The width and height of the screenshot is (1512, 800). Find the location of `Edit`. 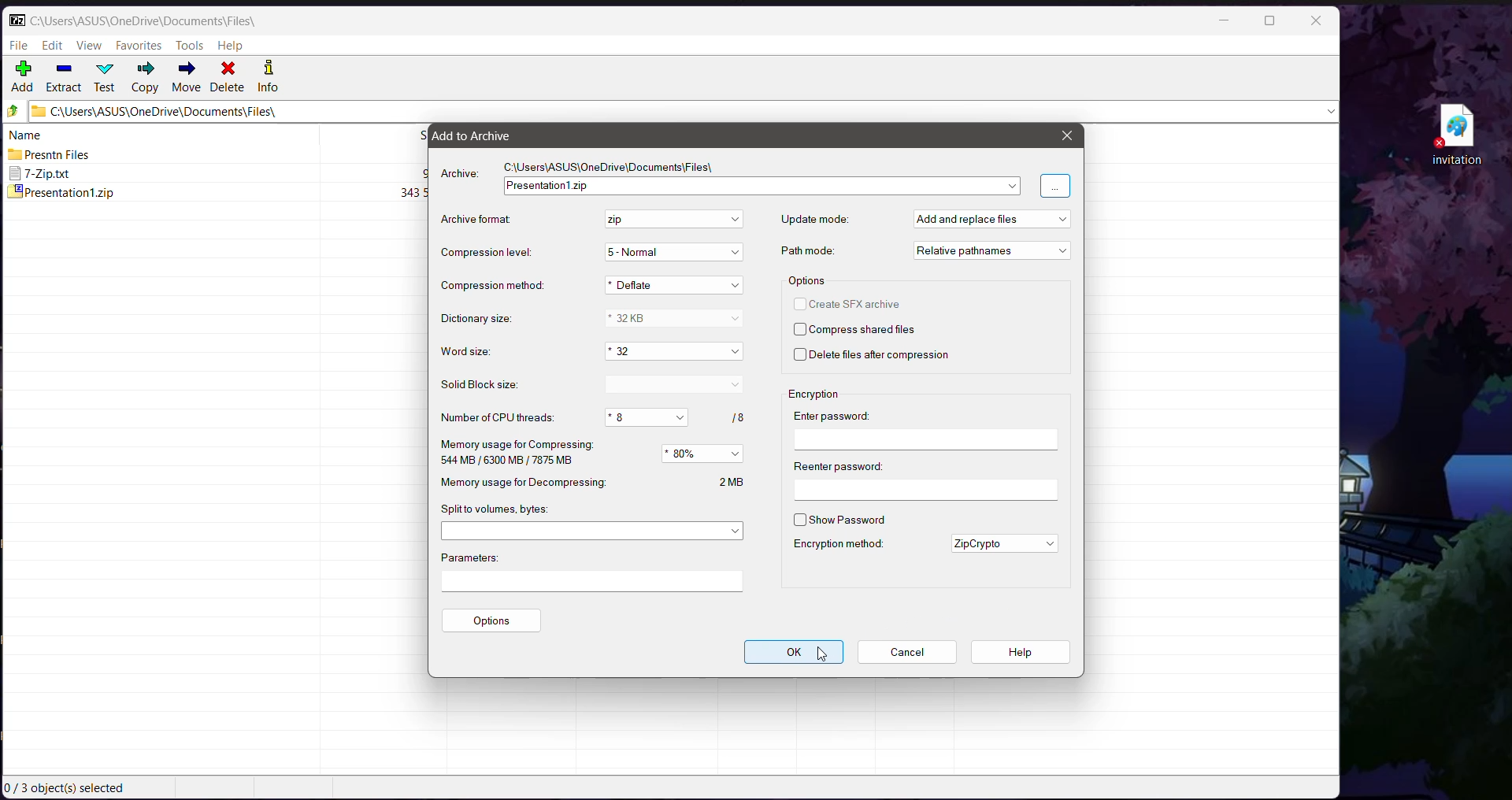

Edit is located at coordinates (54, 45).